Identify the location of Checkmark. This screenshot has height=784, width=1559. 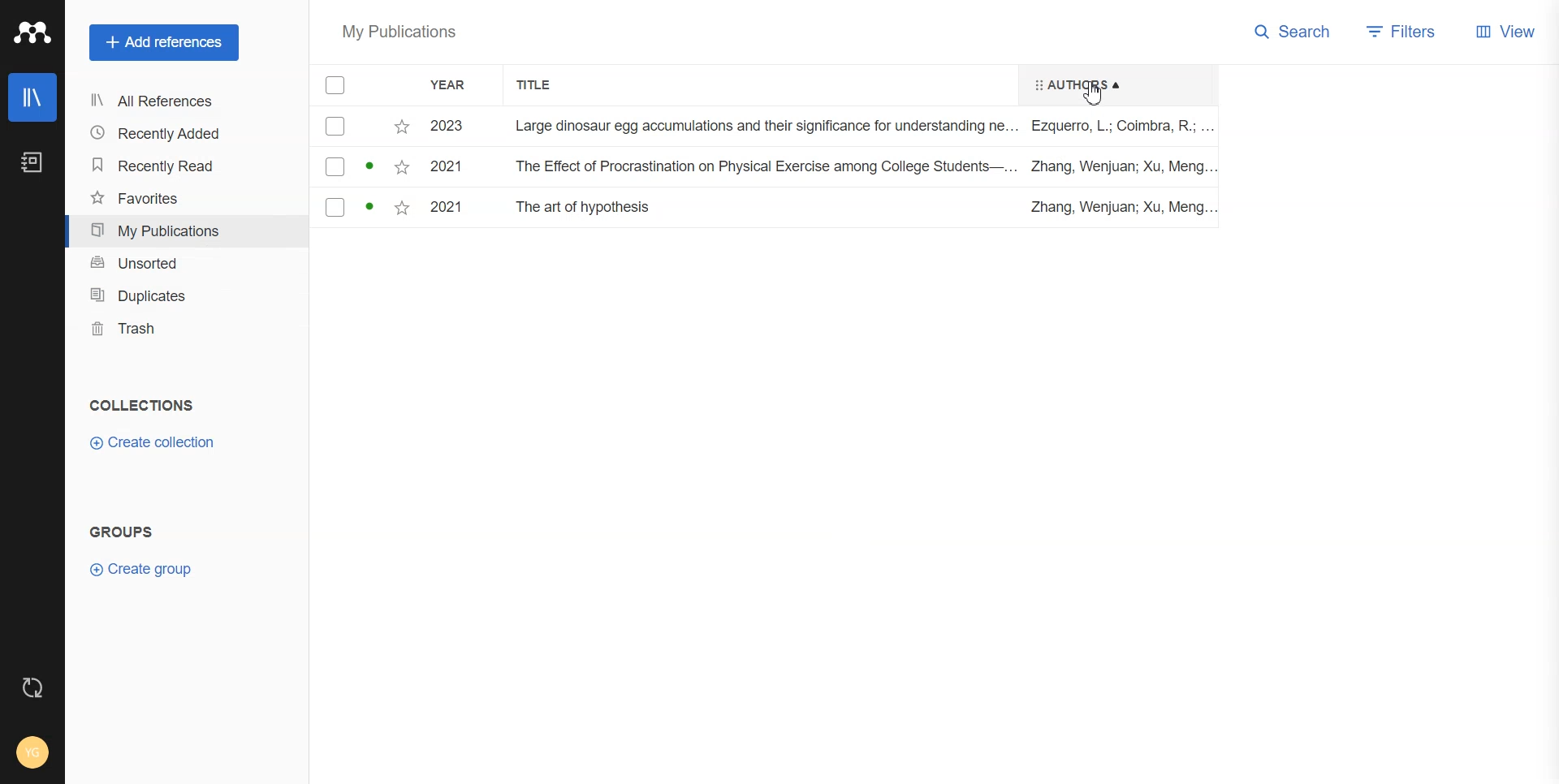
(335, 207).